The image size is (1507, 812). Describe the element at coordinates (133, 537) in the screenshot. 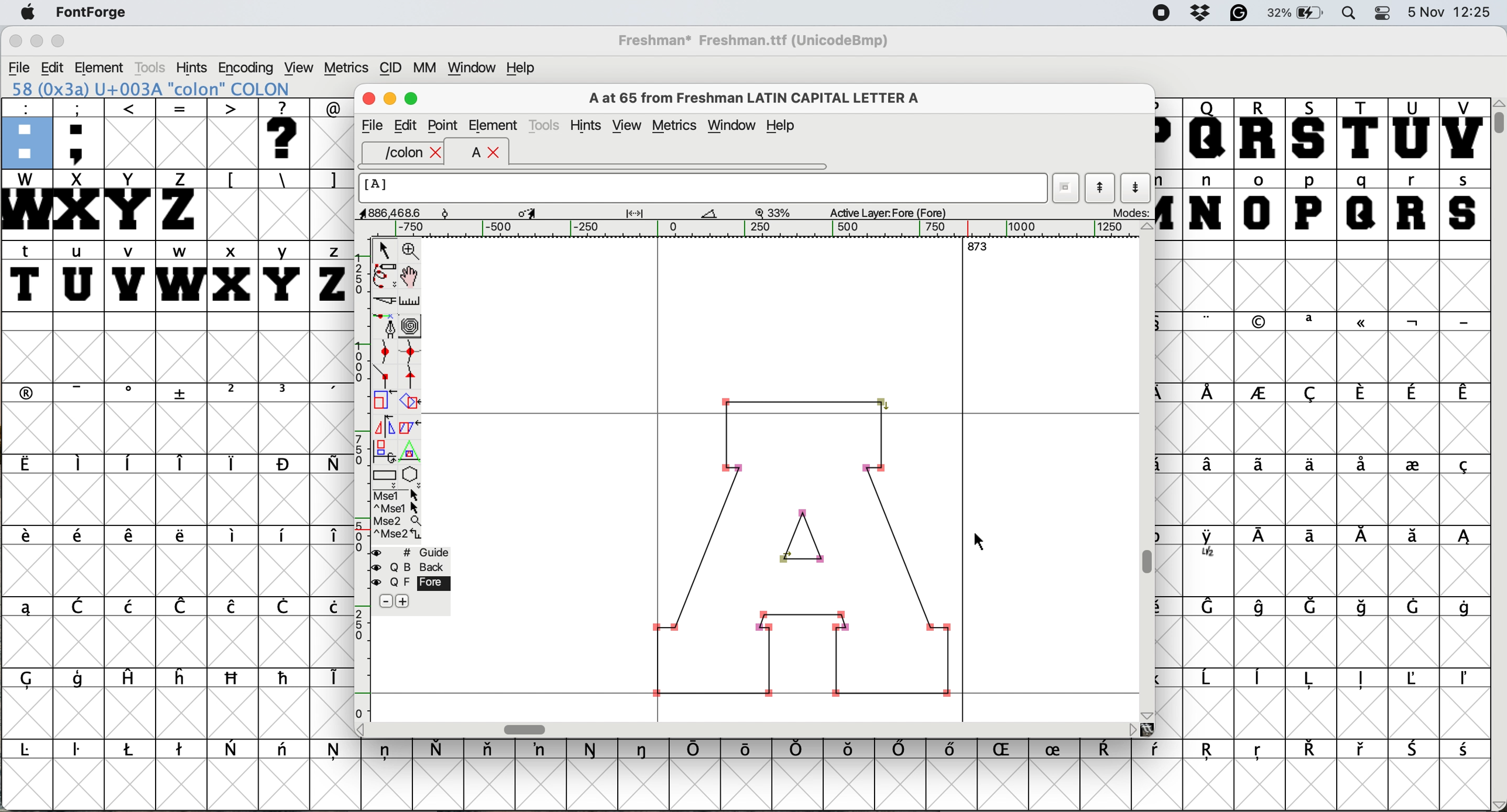

I see `symbol` at that location.